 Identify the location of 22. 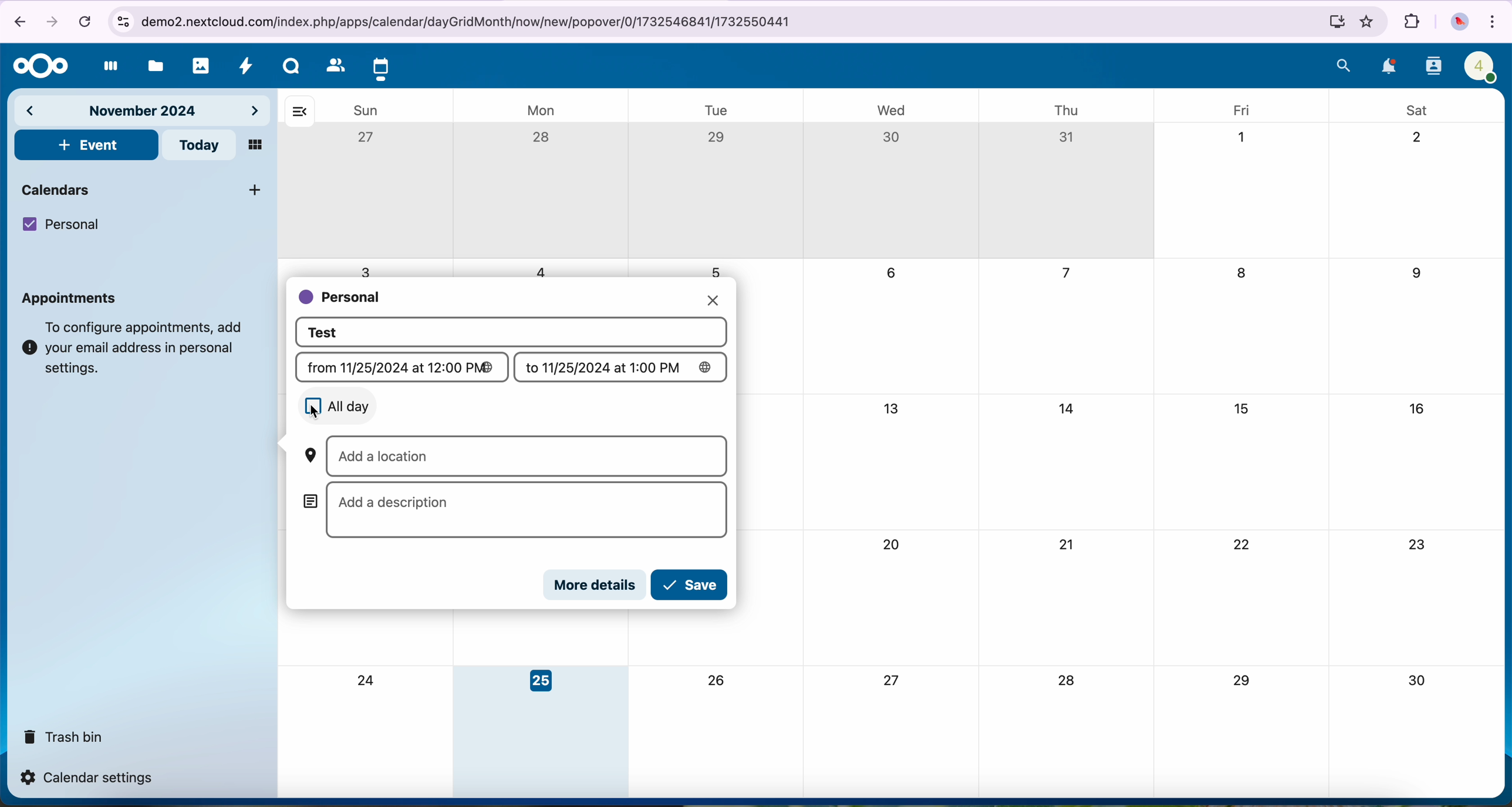
(1241, 544).